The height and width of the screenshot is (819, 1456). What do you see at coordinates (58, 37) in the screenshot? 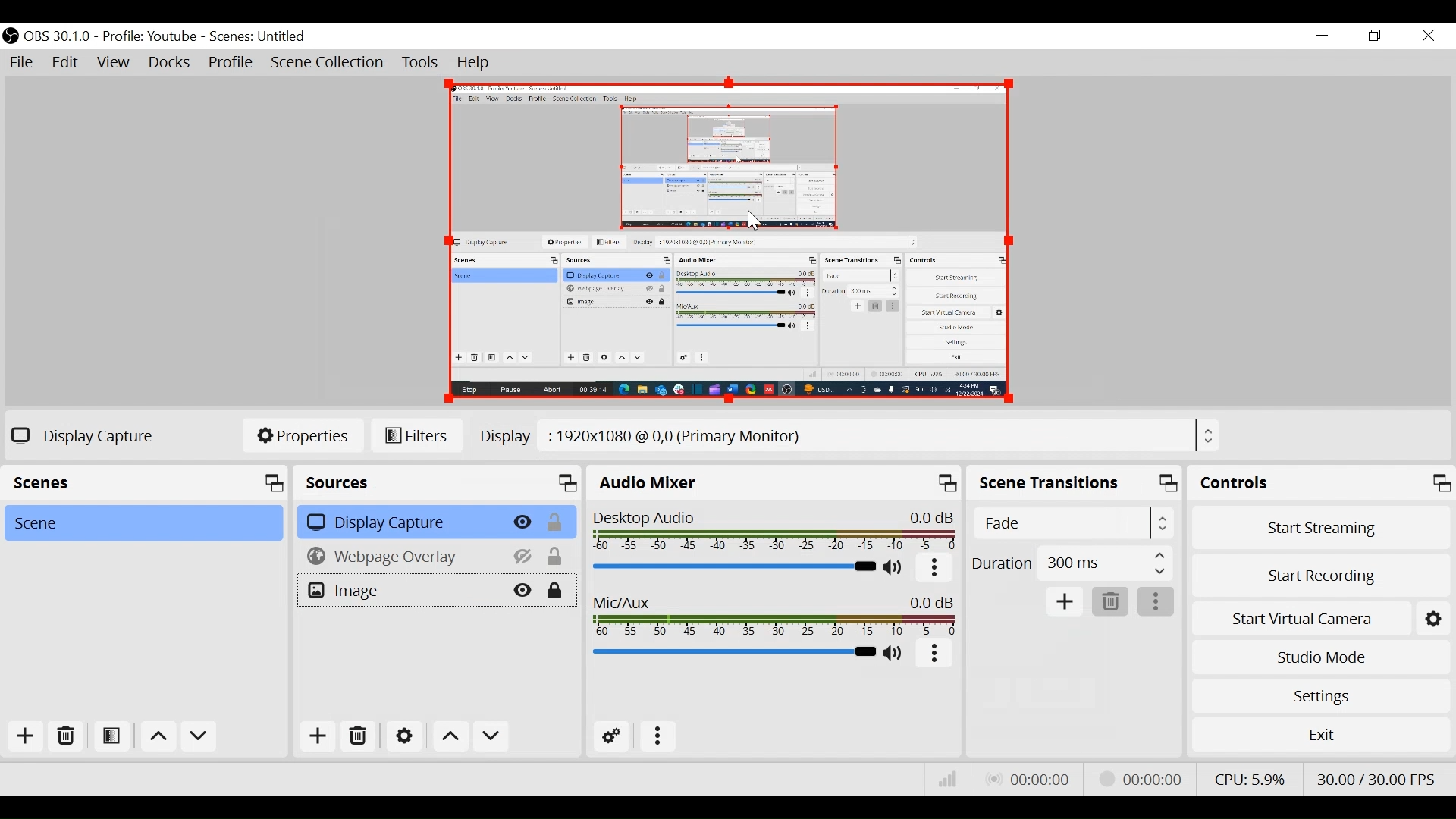
I see `OBS Version` at bounding box center [58, 37].